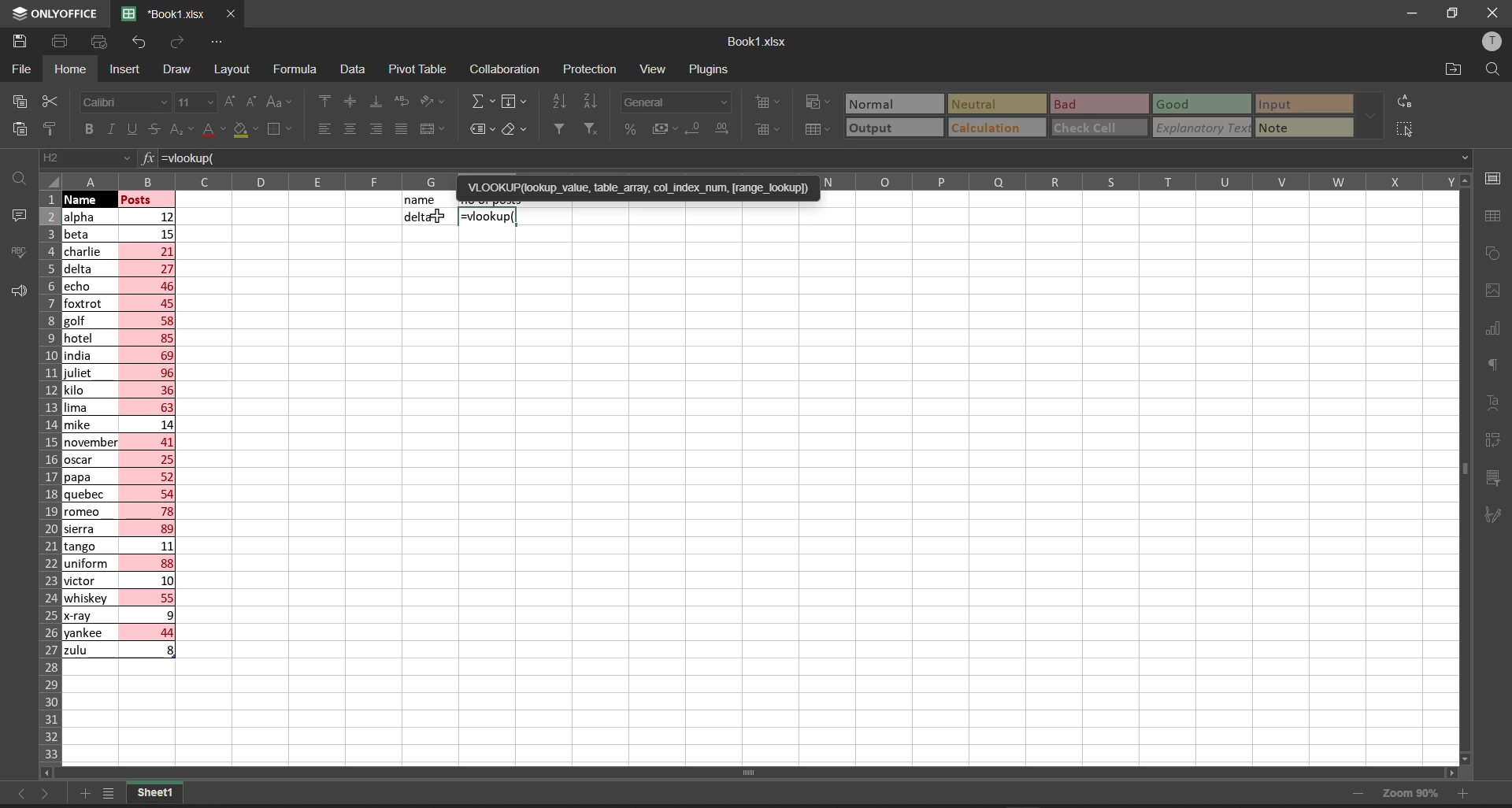 The image size is (1512, 808). Describe the element at coordinates (146, 158) in the screenshot. I see `formula` at that location.